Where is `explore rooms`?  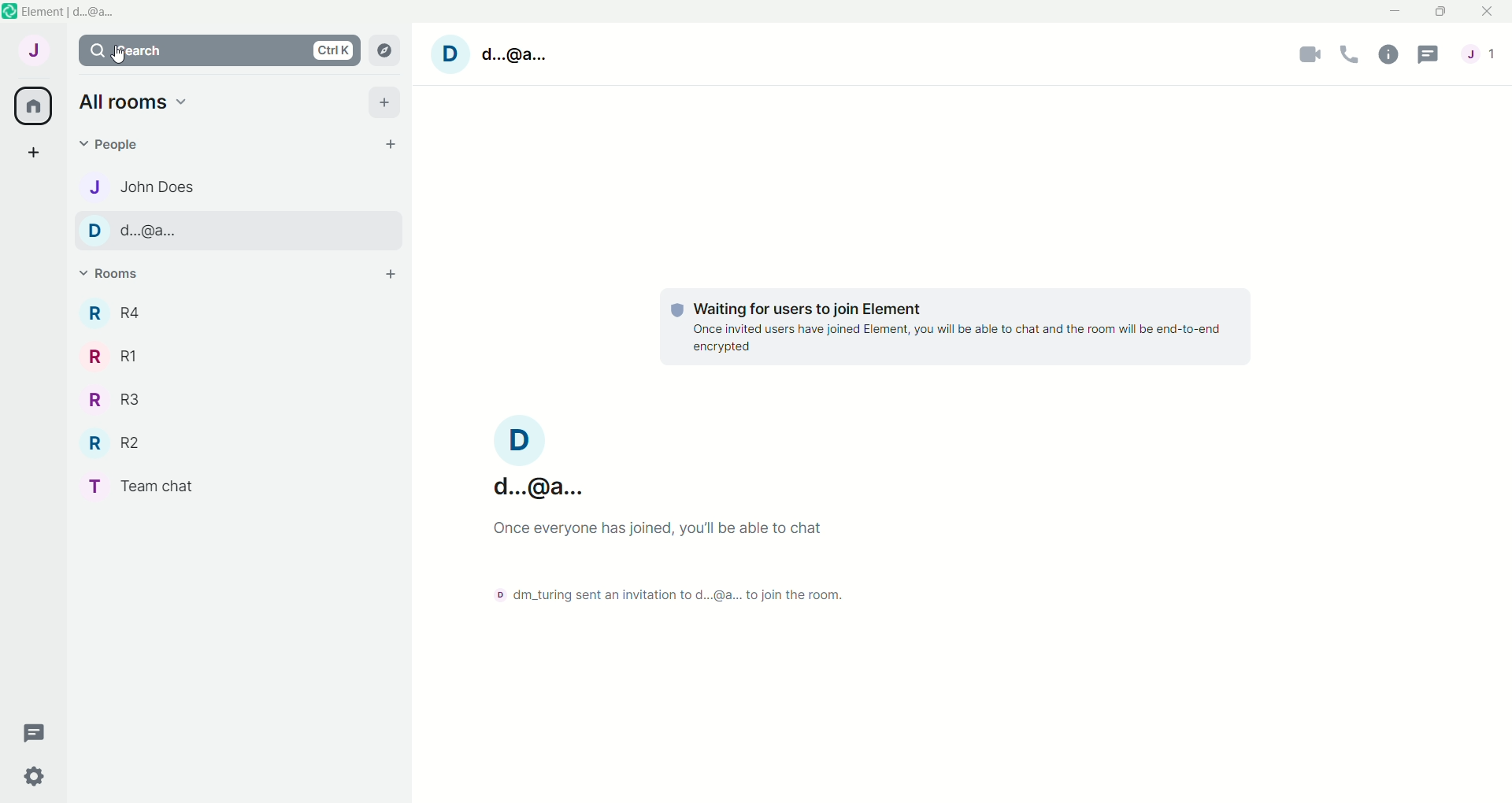
explore rooms is located at coordinates (384, 50).